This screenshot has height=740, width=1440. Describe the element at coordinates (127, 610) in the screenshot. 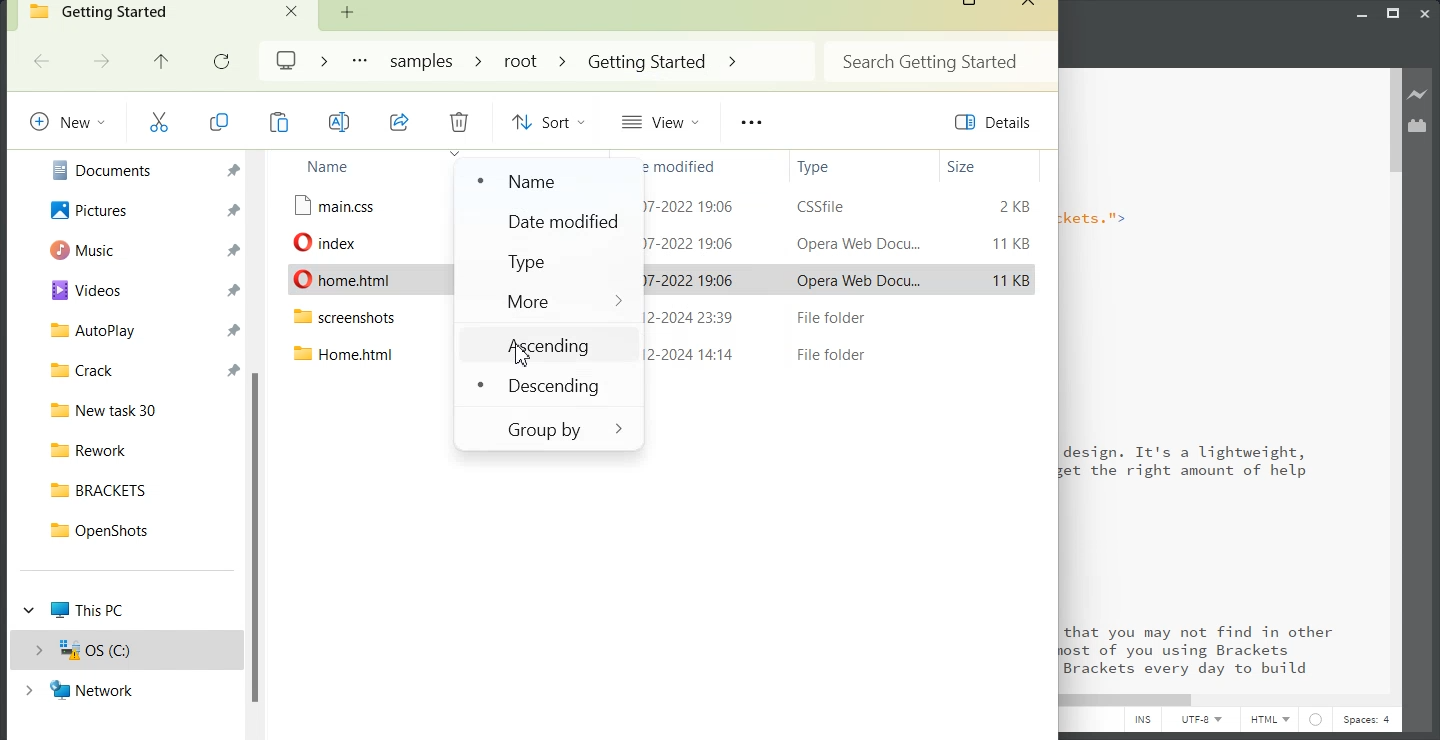

I see `This PC ` at that location.